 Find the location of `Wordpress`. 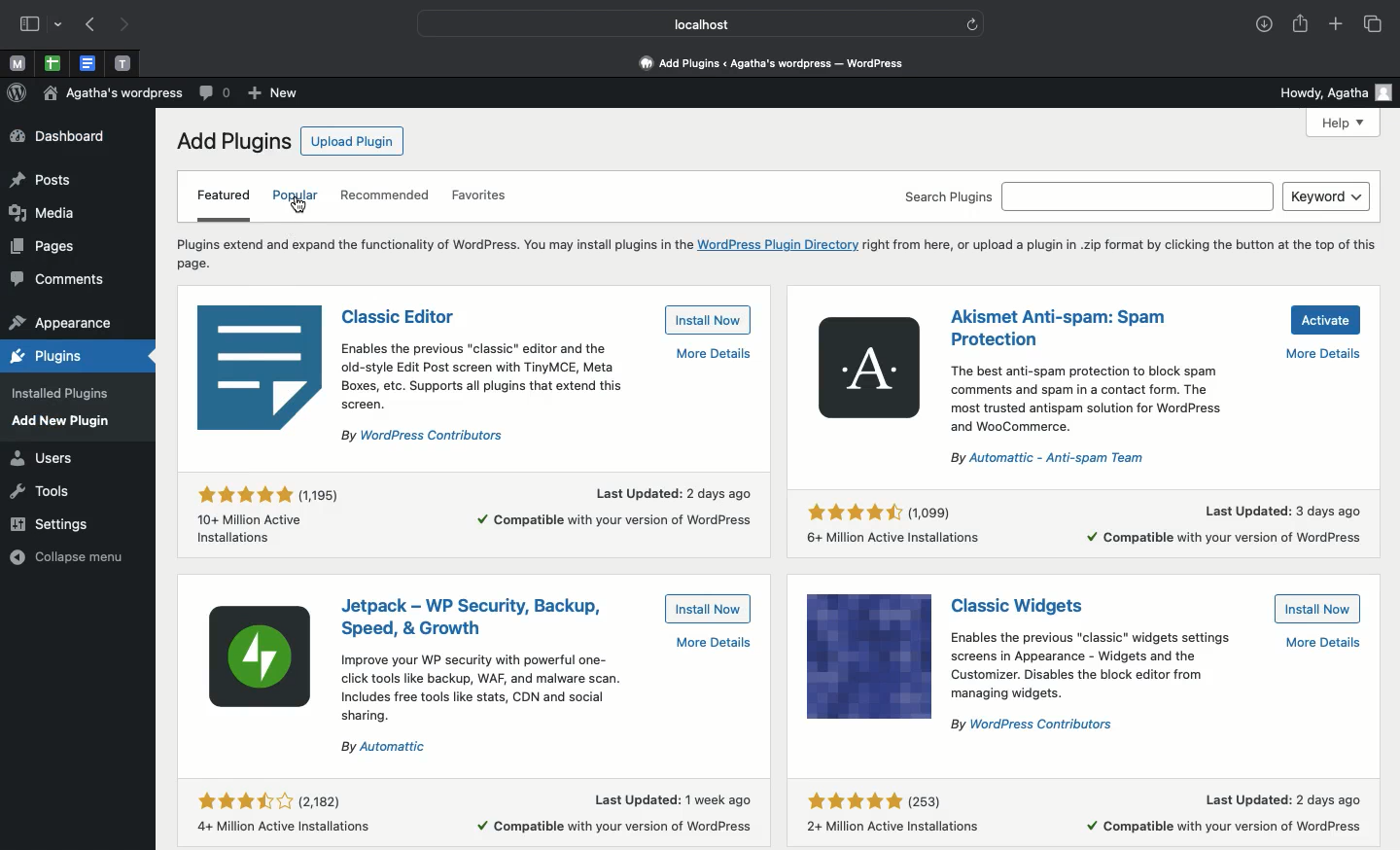

Wordpress is located at coordinates (17, 94).